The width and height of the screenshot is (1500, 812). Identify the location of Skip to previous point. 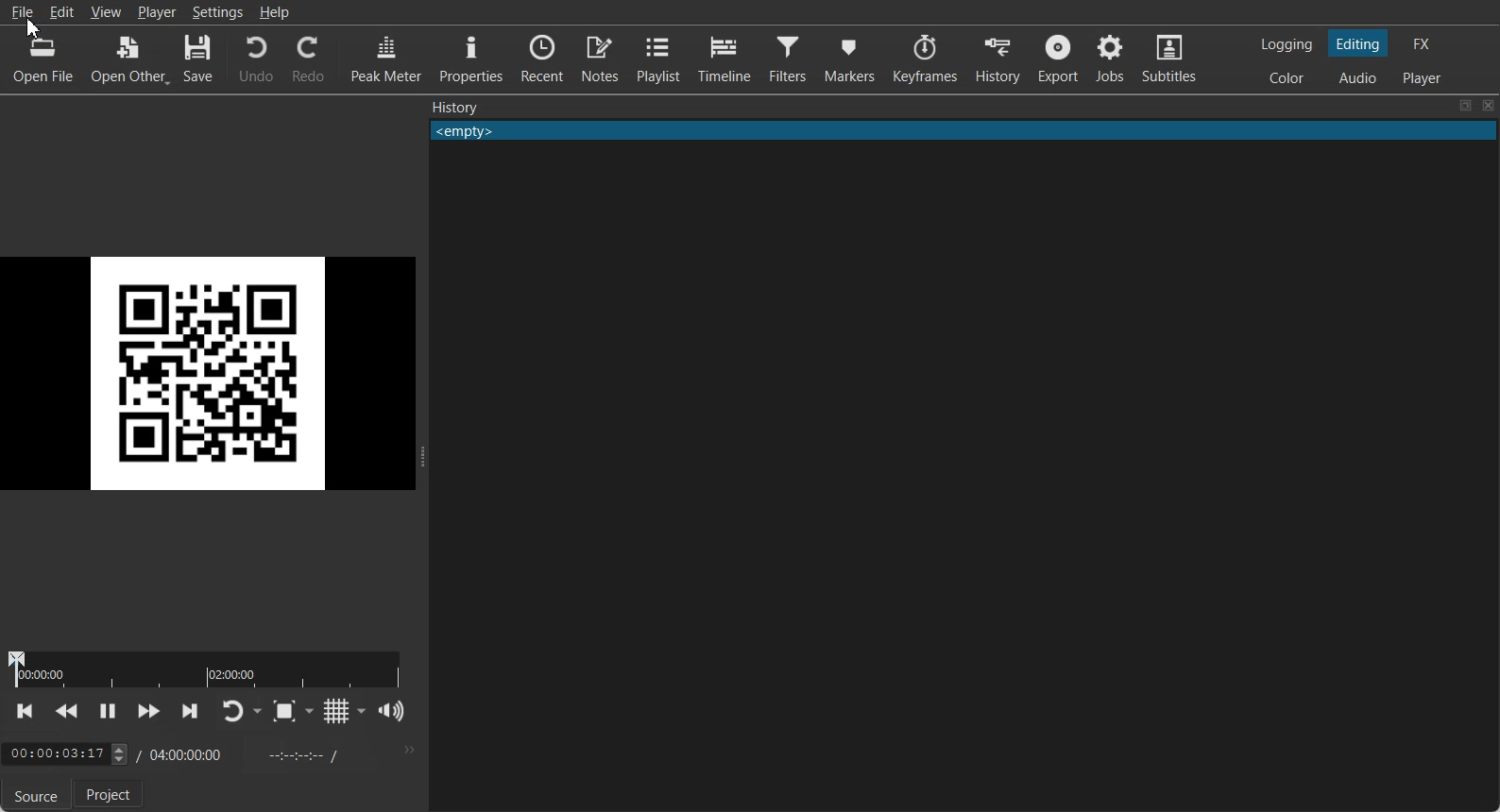
(26, 711).